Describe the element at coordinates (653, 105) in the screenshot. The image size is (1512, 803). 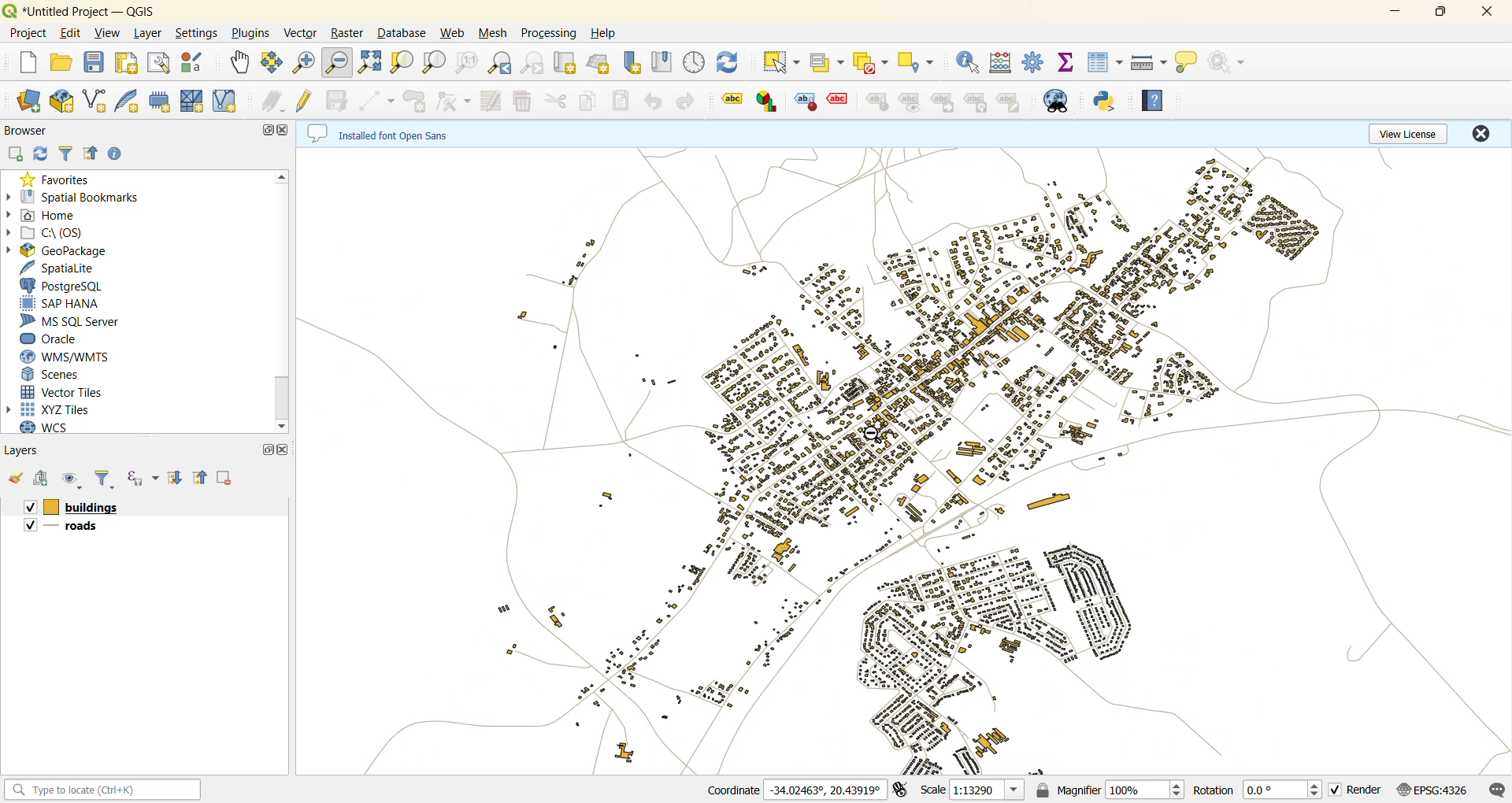
I see `undo` at that location.